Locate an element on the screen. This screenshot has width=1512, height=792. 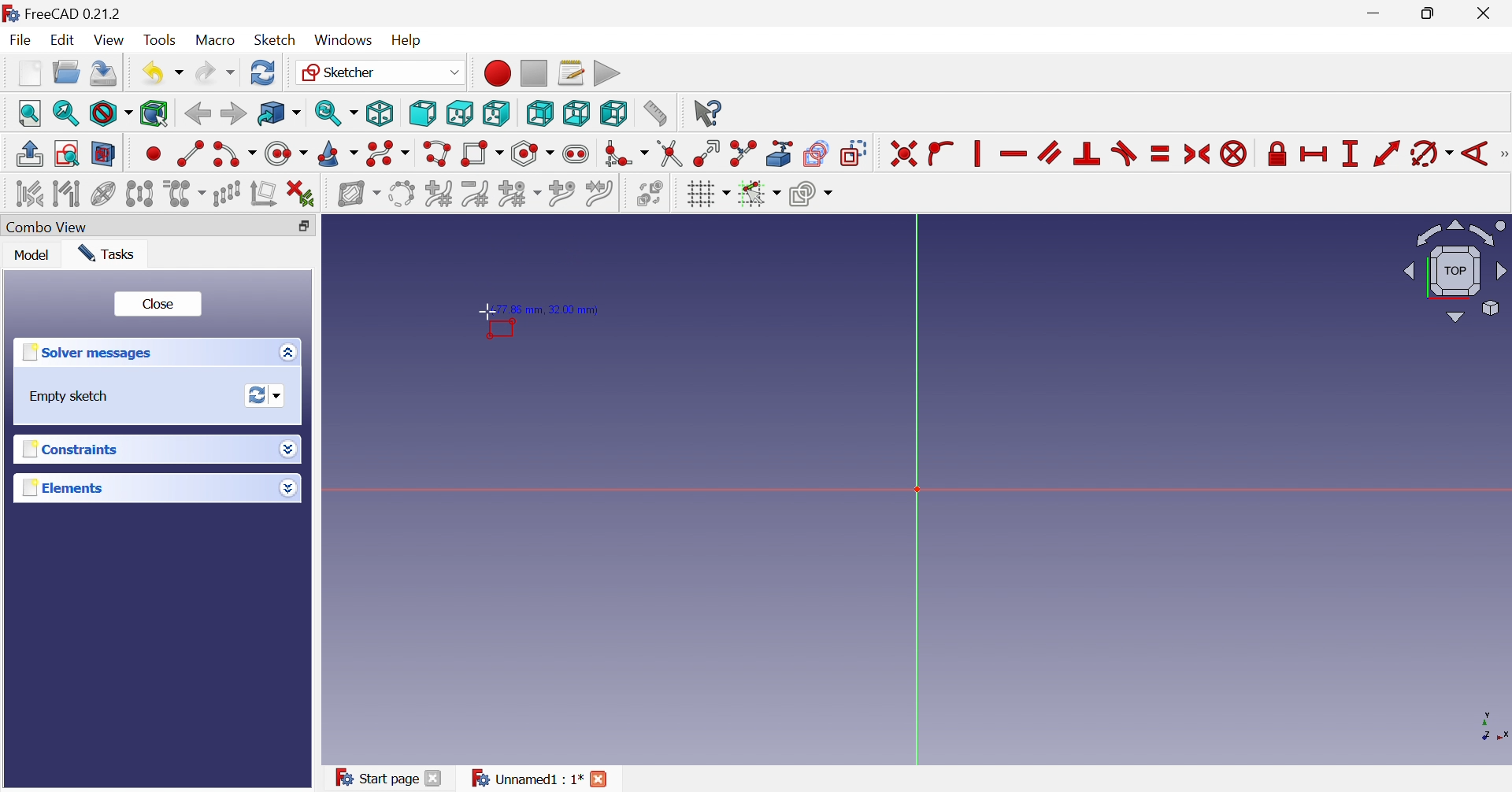
logo is located at coordinates (10, 12).